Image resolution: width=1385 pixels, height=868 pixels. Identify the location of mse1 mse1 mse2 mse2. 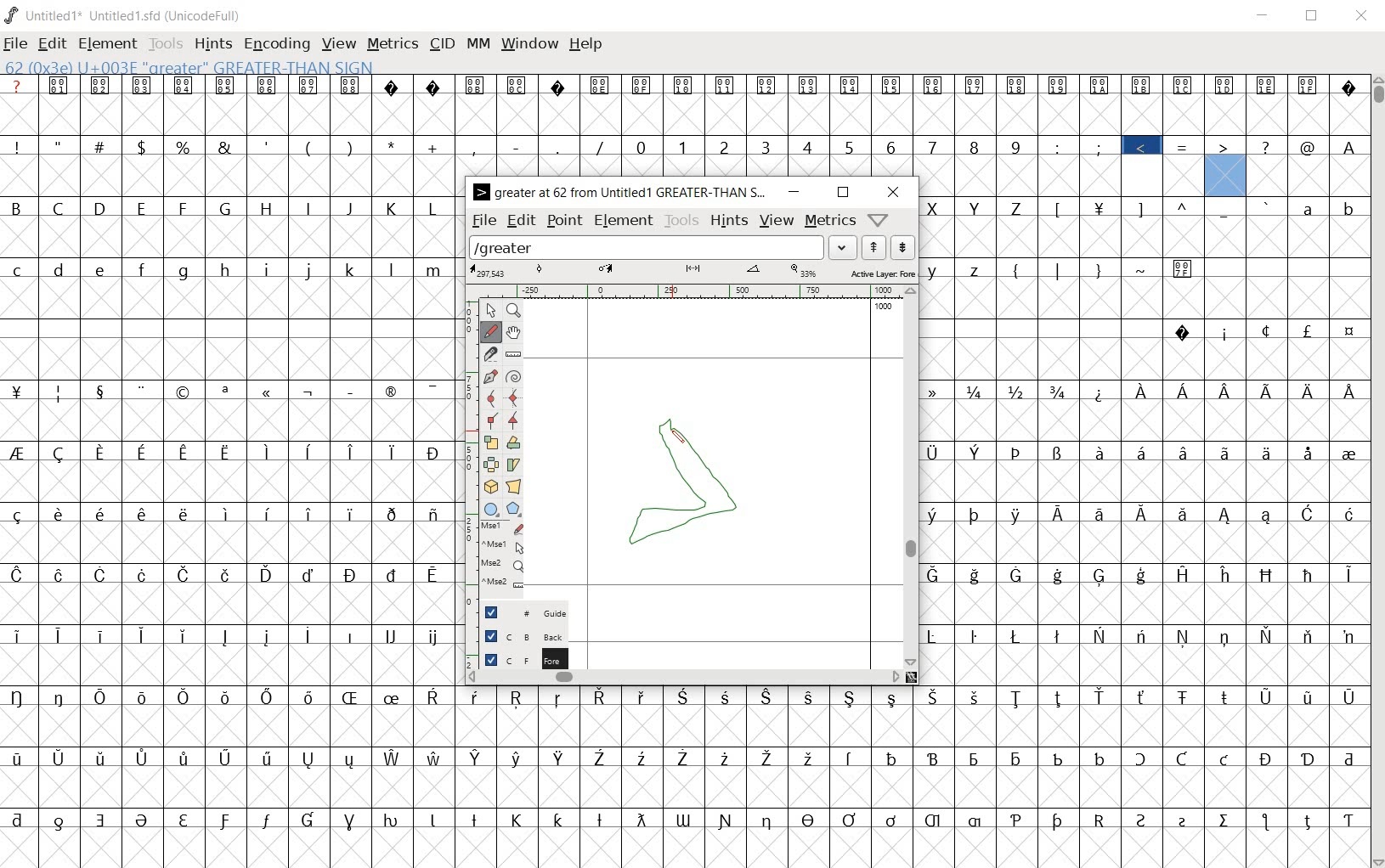
(503, 555).